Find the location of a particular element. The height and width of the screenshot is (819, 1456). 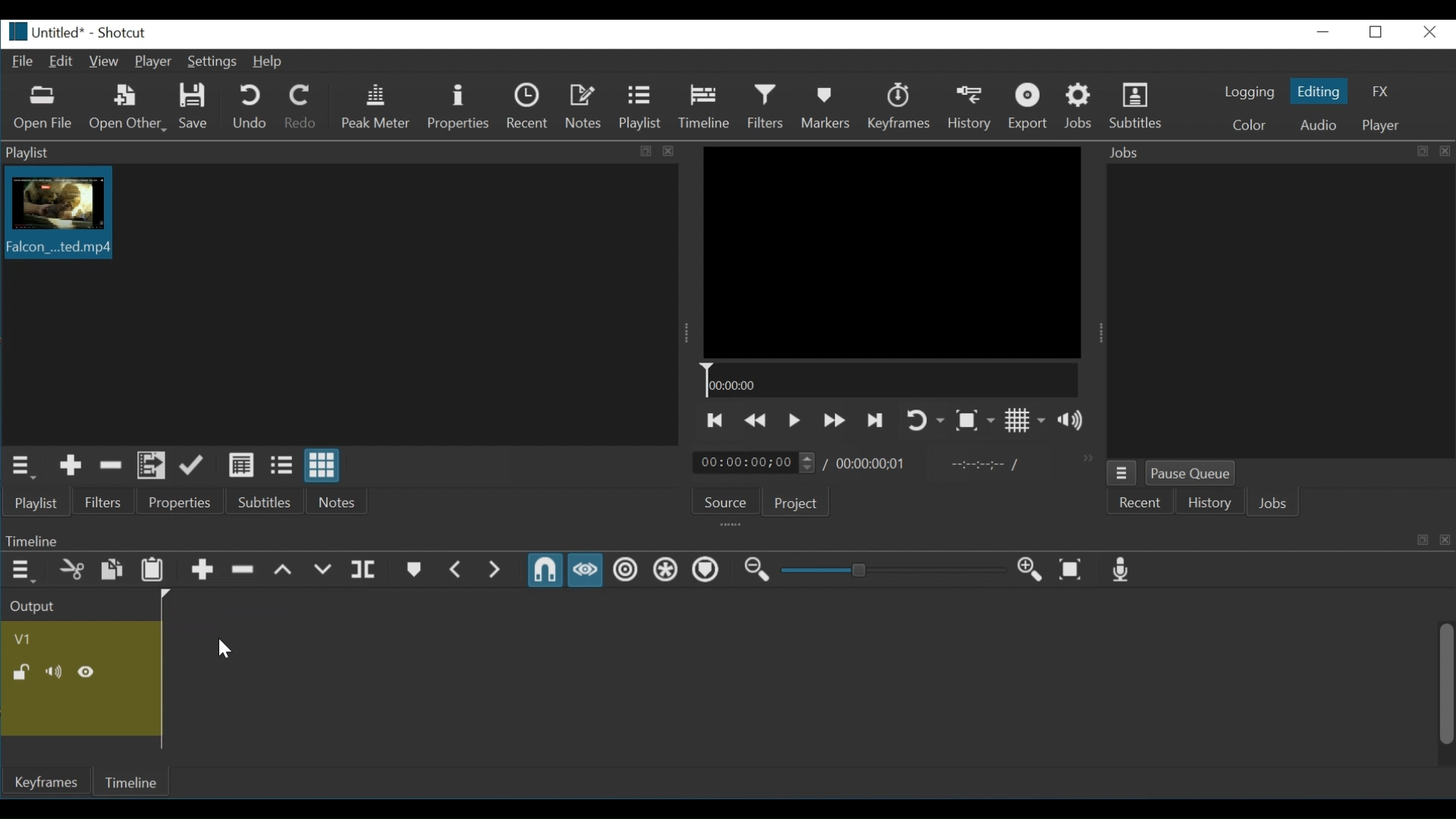

Properties is located at coordinates (458, 108).